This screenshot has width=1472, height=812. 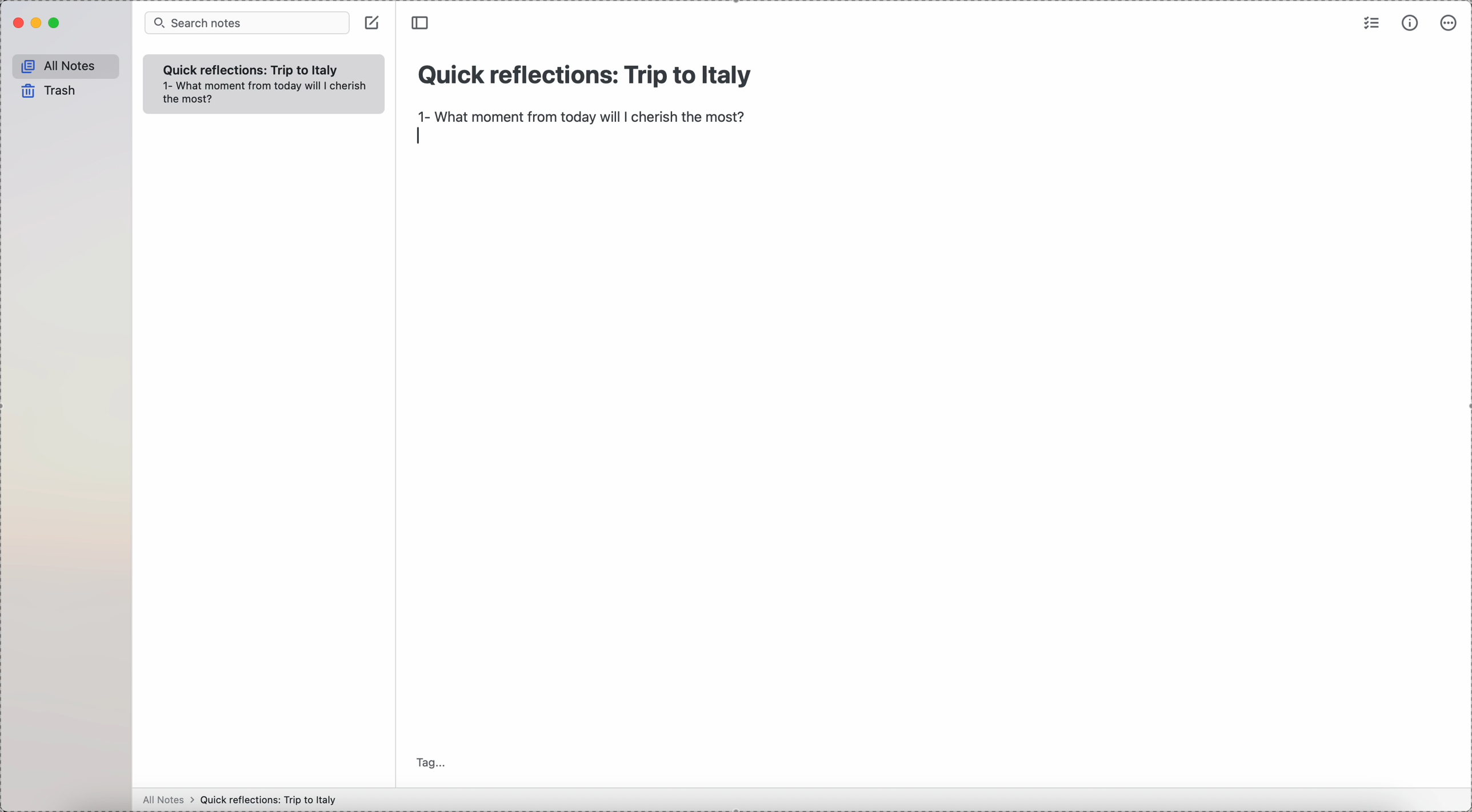 What do you see at coordinates (56, 23) in the screenshot?
I see `maximize` at bounding box center [56, 23].